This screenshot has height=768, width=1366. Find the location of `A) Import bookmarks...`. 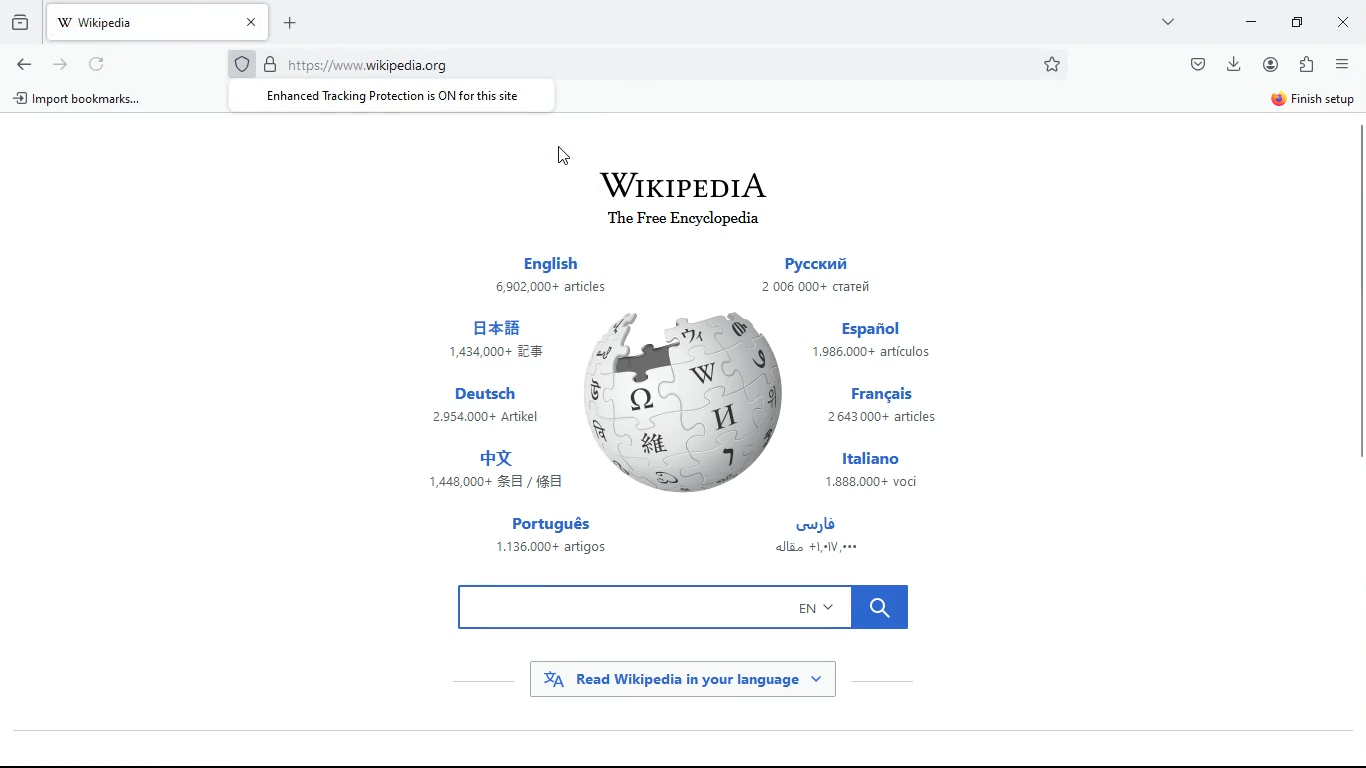

A) Import bookmarks... is located at coordinates (76, 98).